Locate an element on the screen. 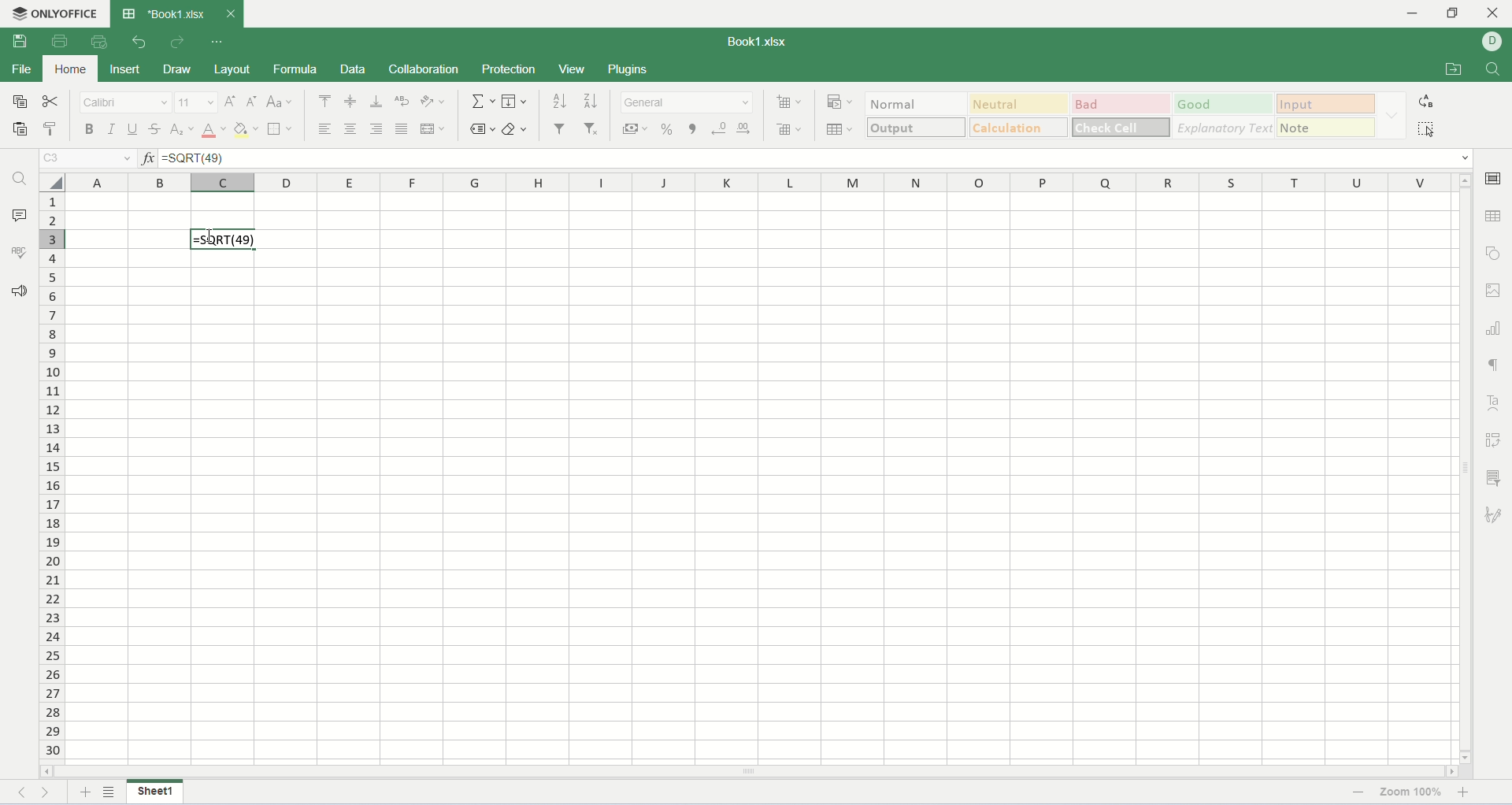  orientation is located at coordinates (435, 100).